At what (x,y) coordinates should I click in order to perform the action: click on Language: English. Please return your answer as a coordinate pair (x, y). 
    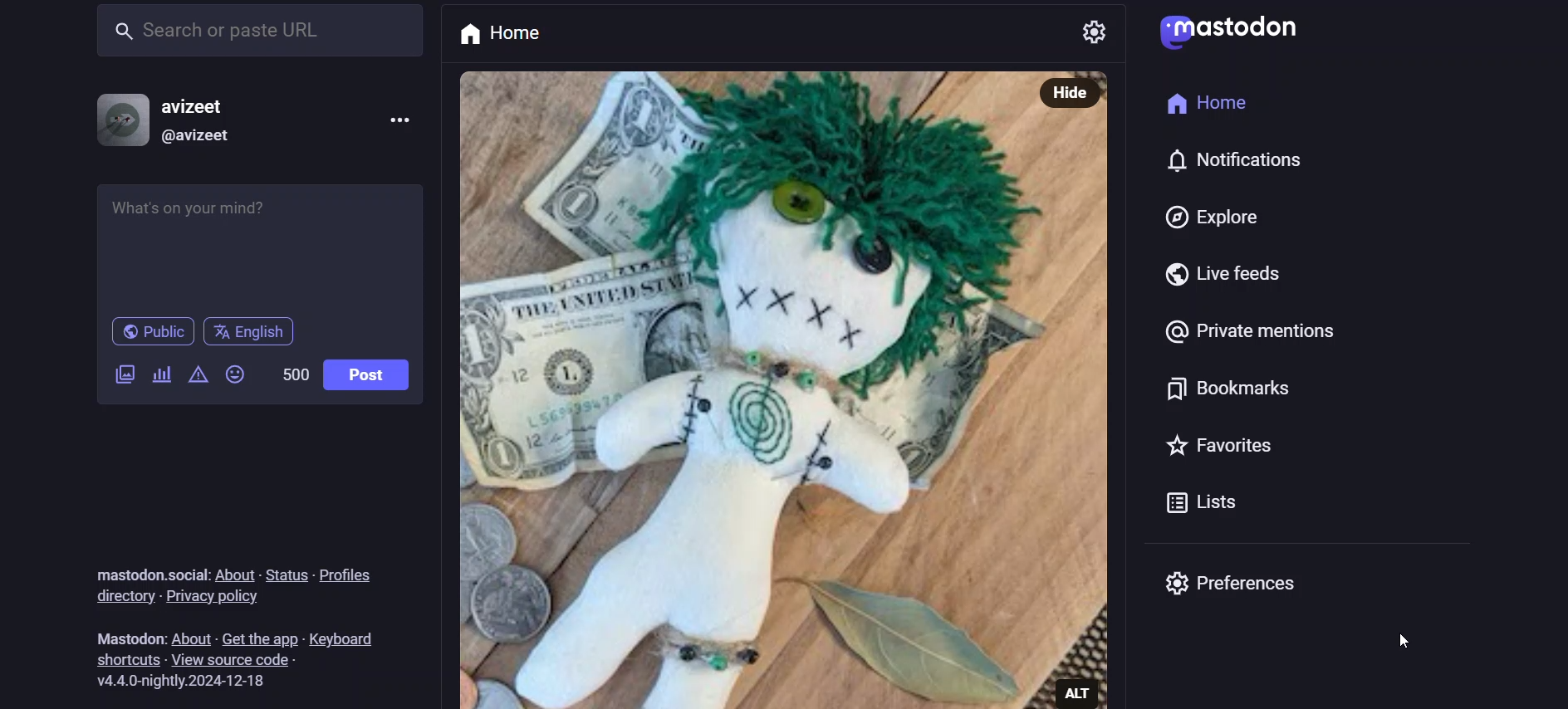
    Looking at the image, I should click on (256, 333).